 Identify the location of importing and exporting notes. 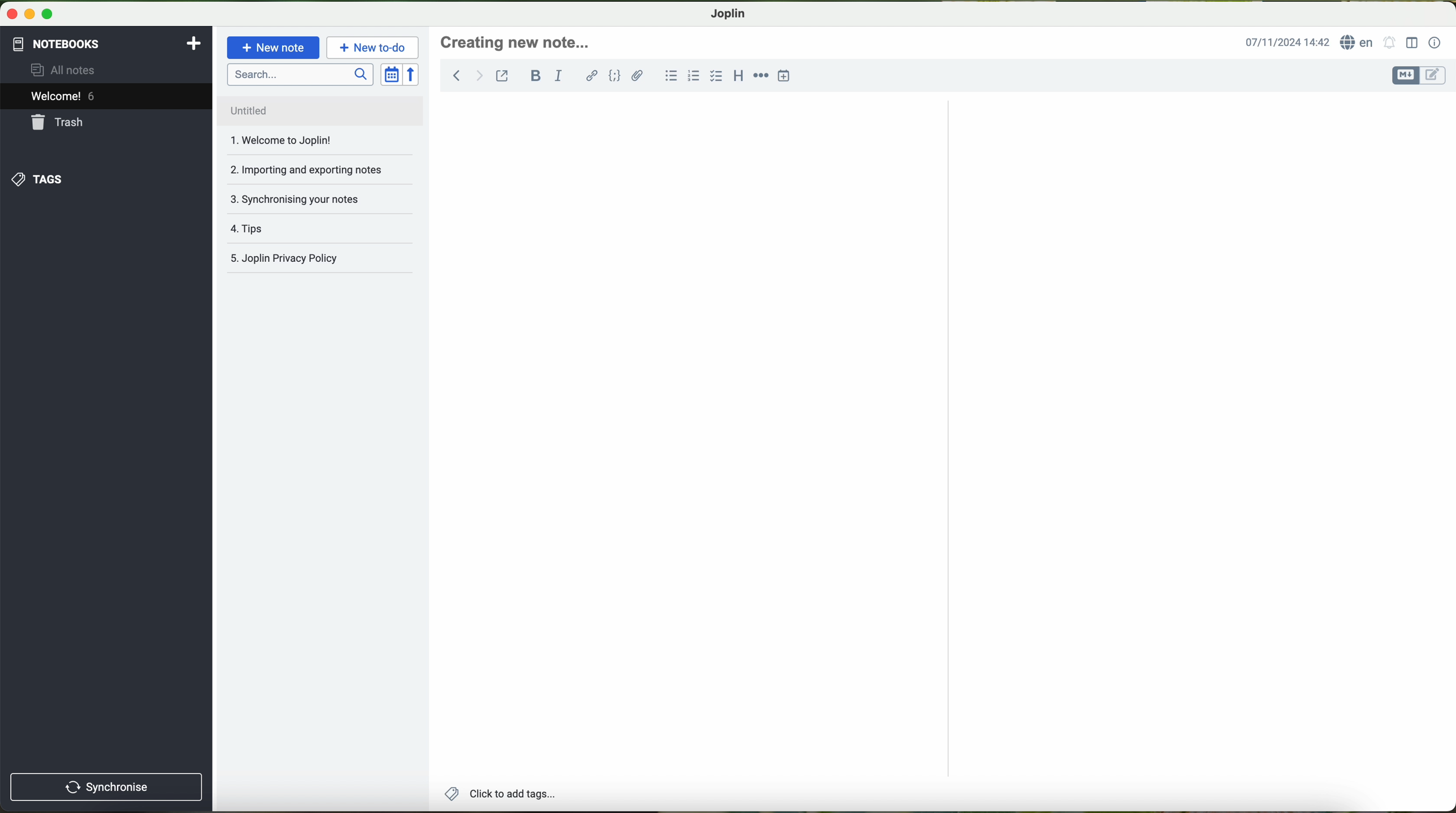
(318, 168).